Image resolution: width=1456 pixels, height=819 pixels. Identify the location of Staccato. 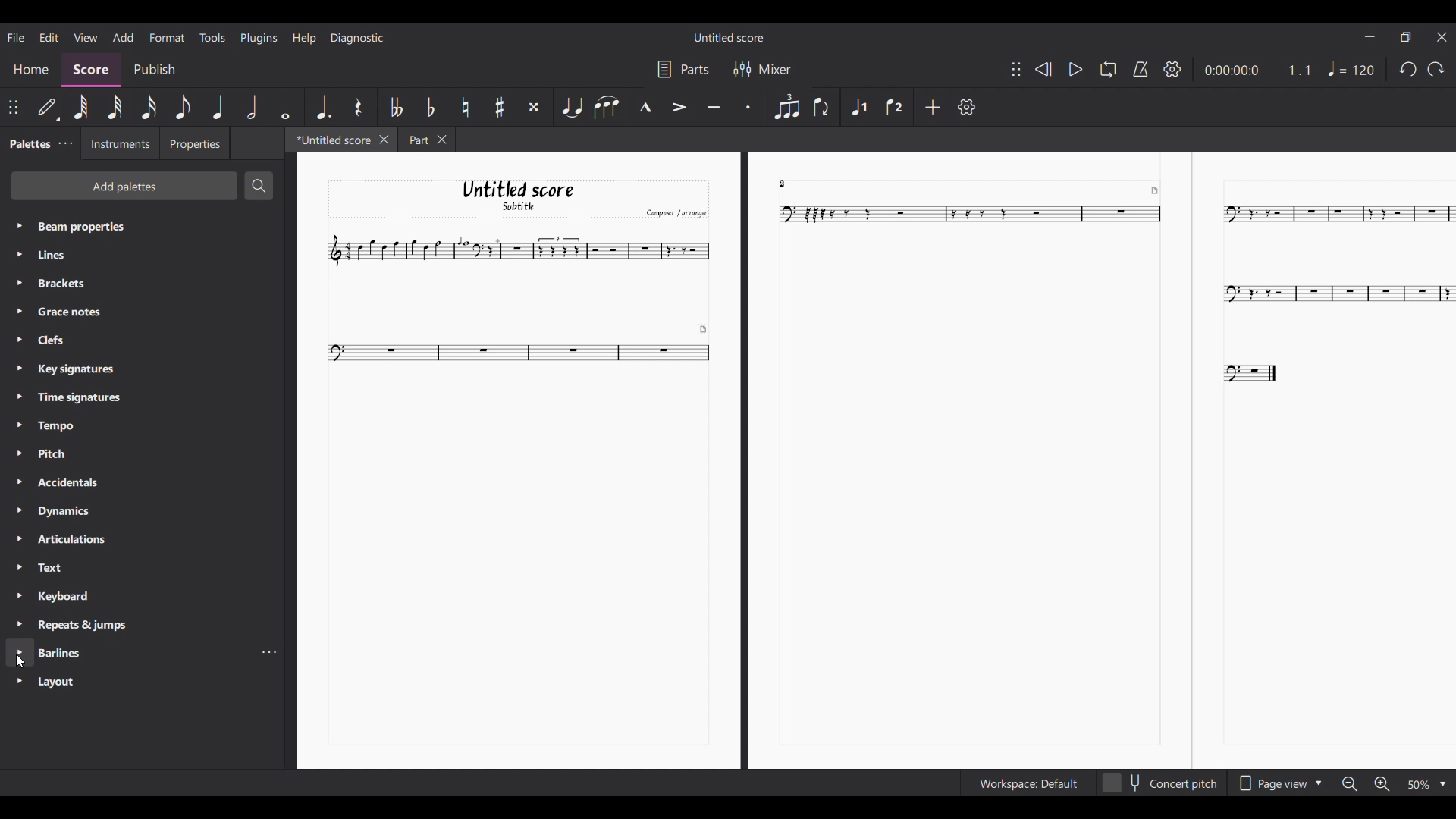
(748, 108).